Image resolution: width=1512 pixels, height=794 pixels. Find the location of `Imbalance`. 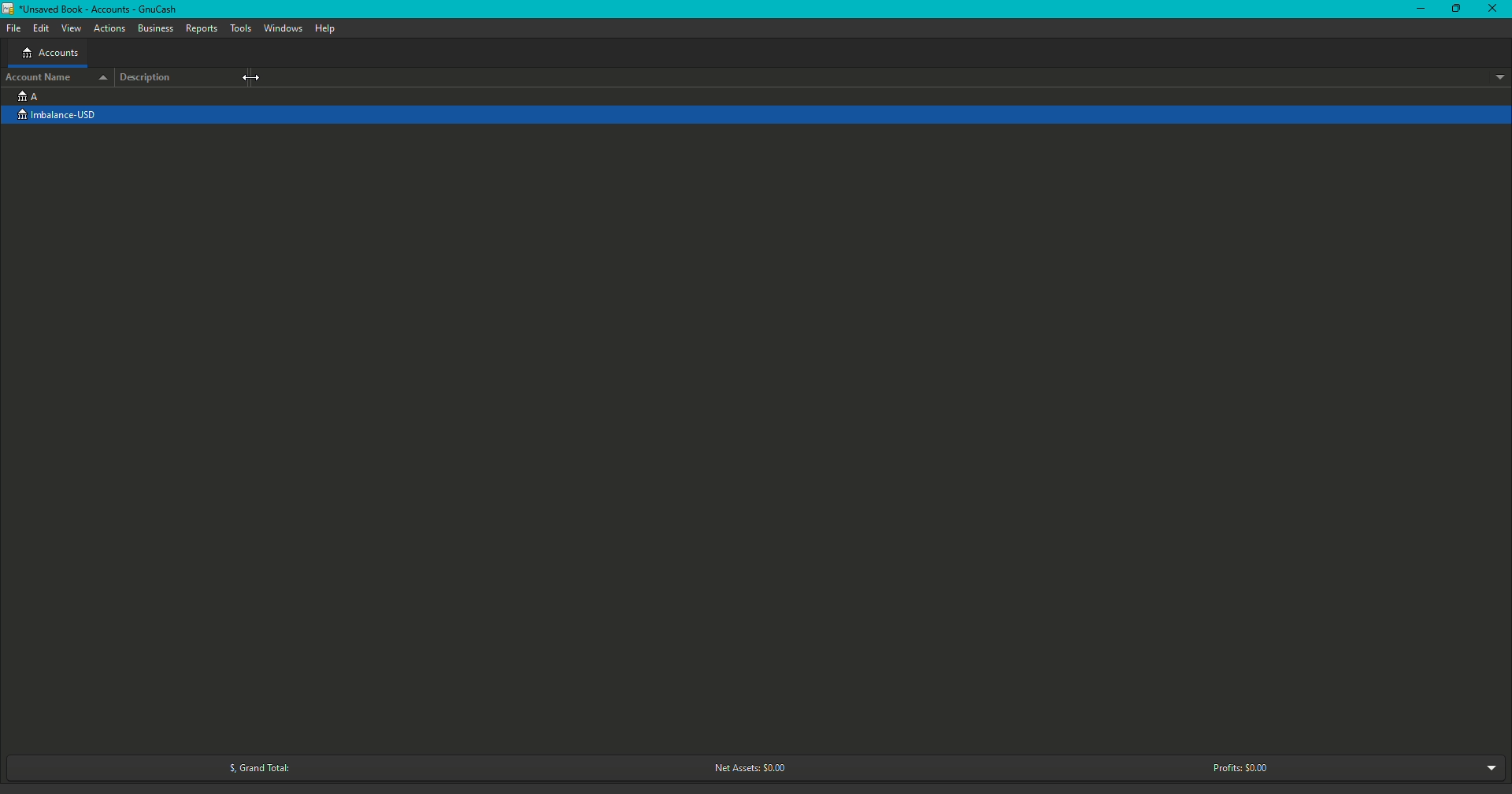

Imbalance is located at coordinates (65, 116).